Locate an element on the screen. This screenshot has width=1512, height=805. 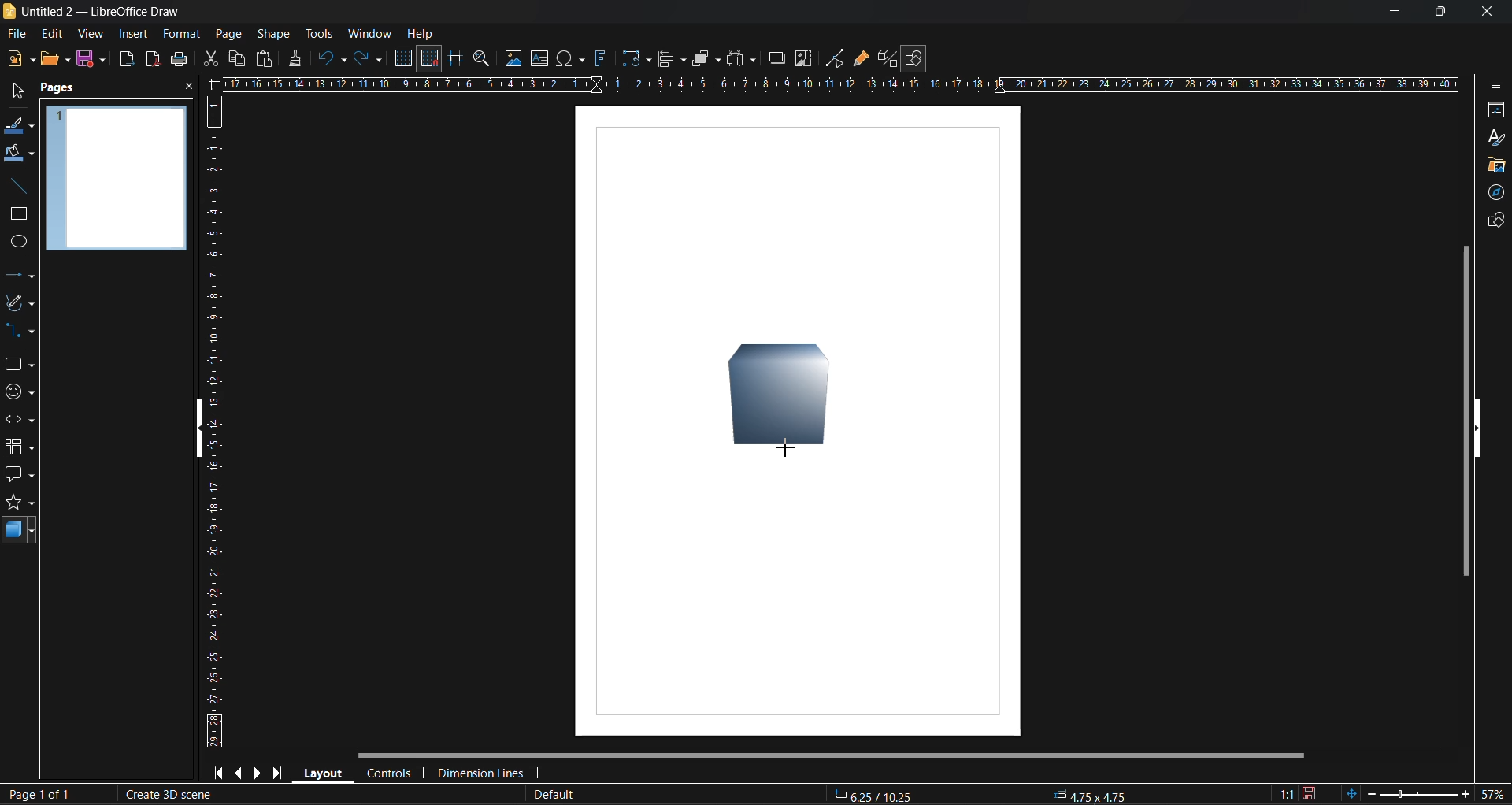
click to save is located at coordinates (1310, 792).